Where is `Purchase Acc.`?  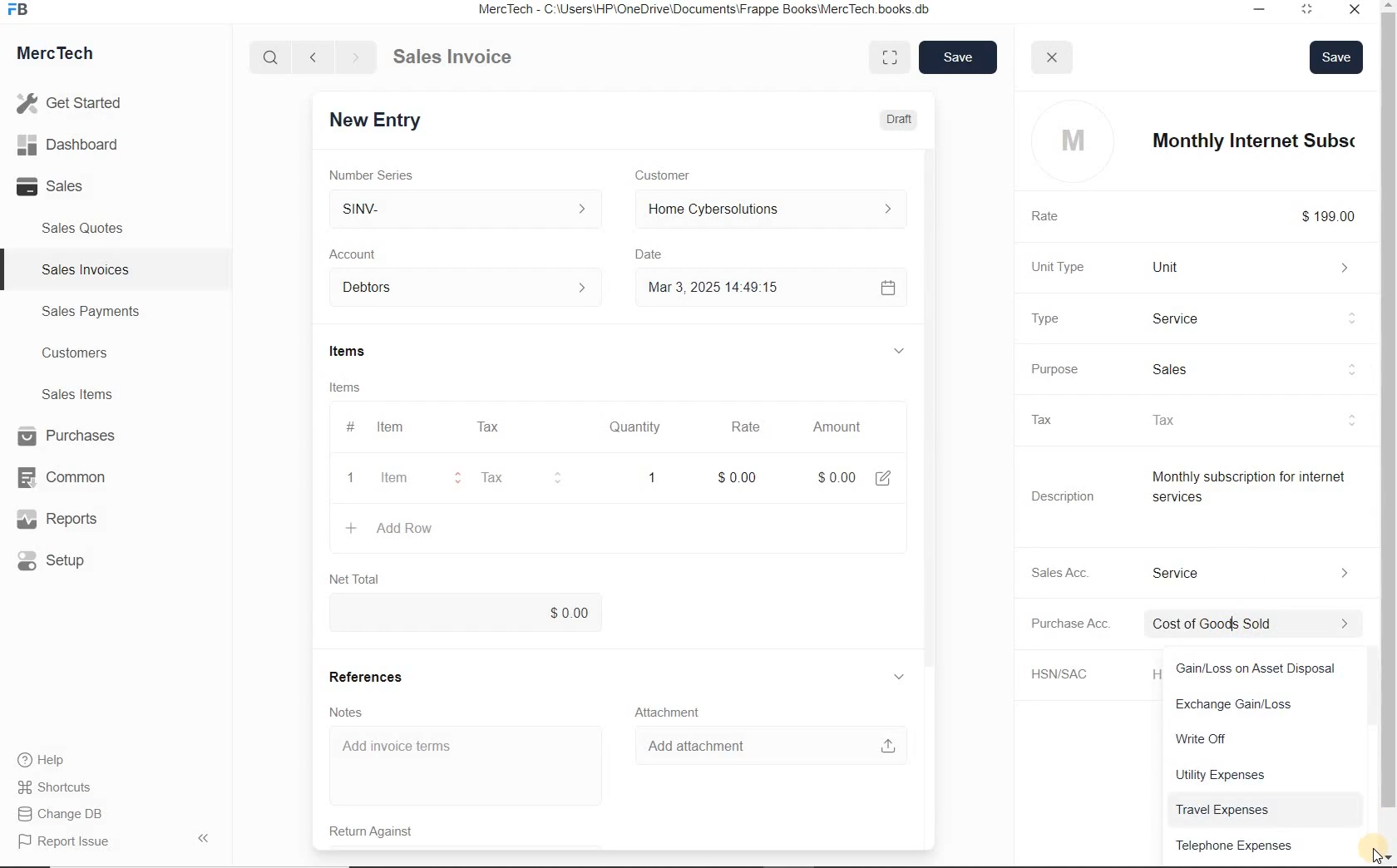
Purchase Acc. is located at coordinates (1081, 625).